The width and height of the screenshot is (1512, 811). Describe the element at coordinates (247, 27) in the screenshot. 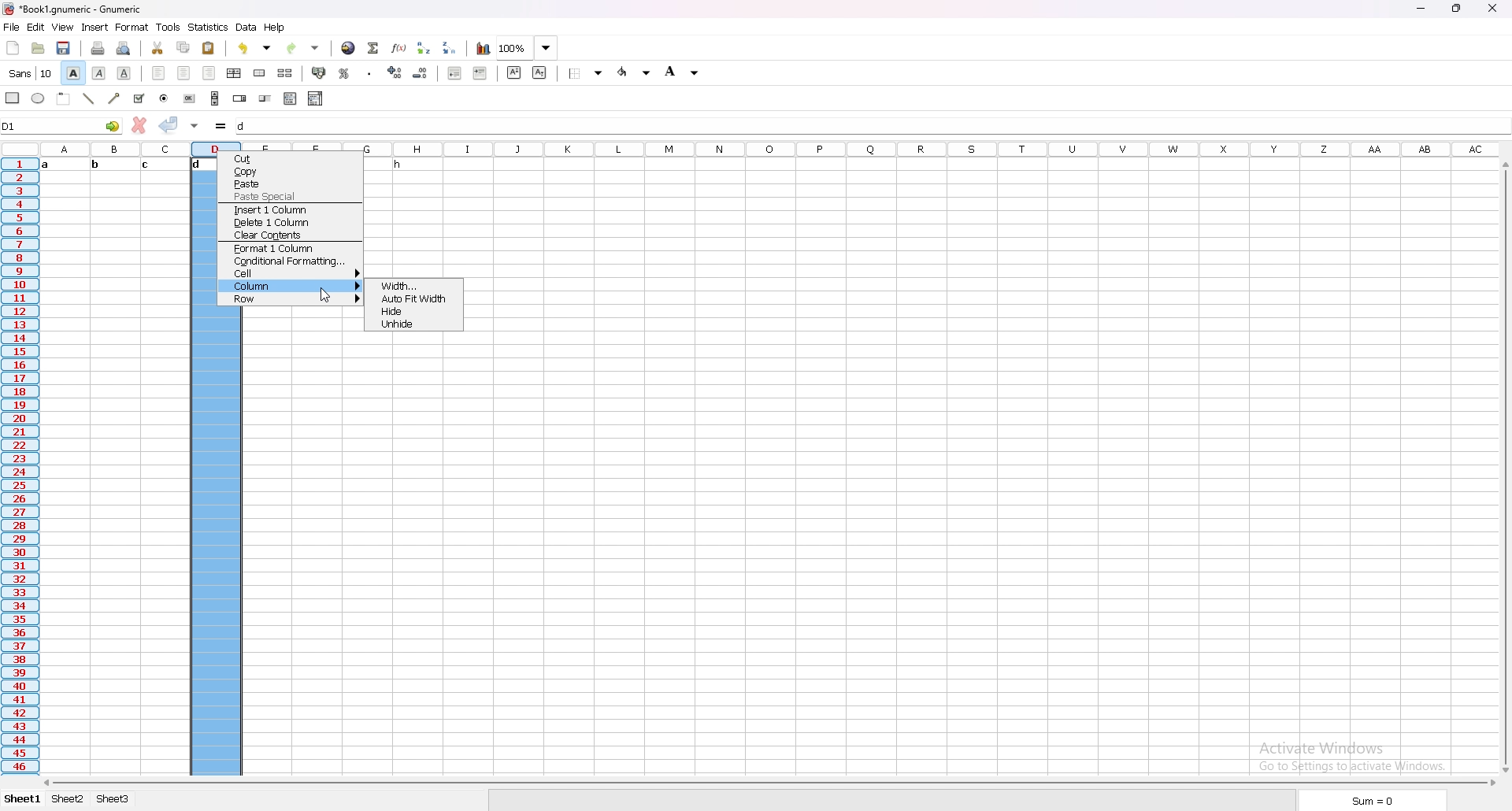

I see `data` at that location.